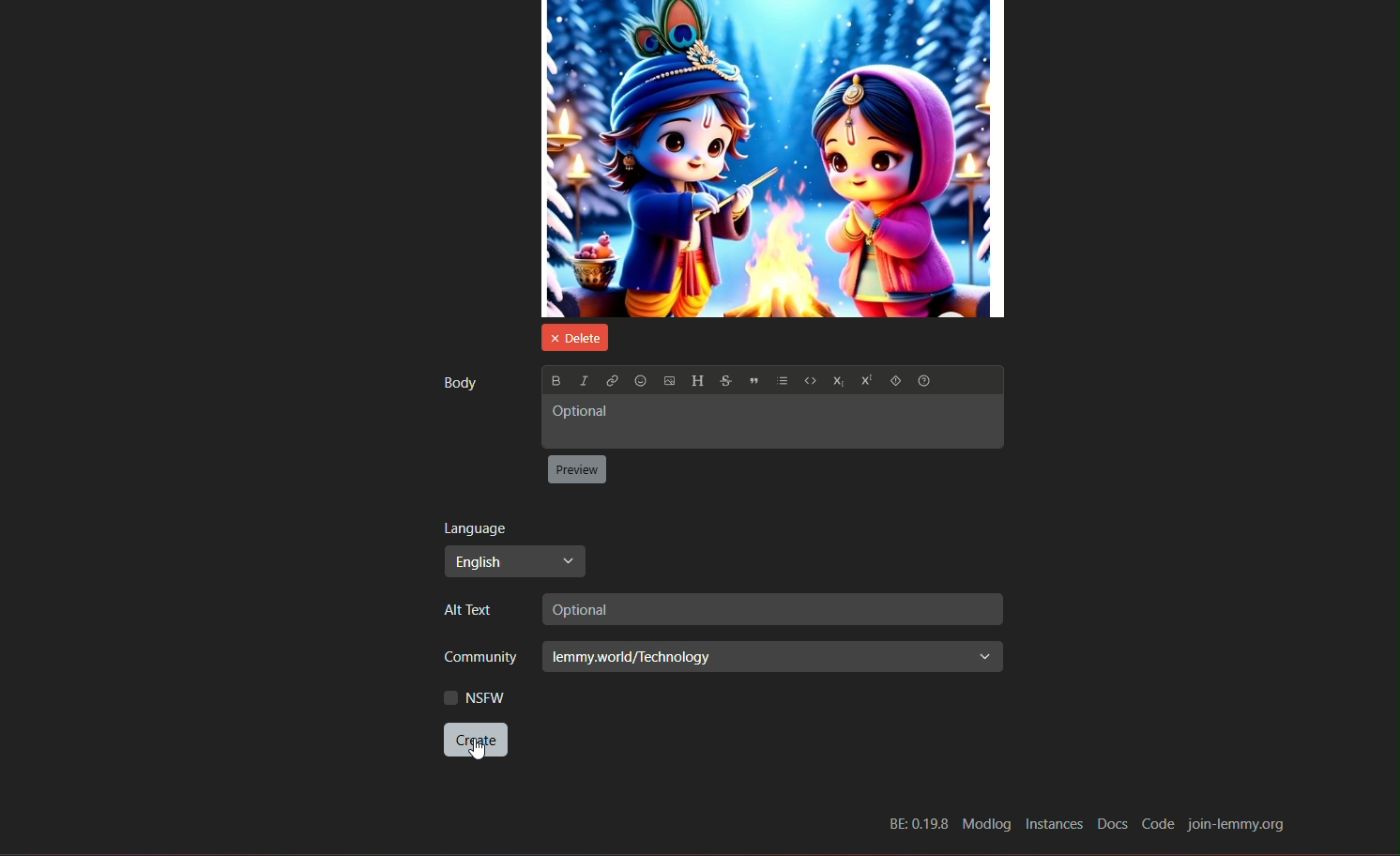 The image size is (1400, 856). What do you see at coordinates (770, 421) in the screenshot?
I see `Optional` at bounding box center [770, 421].